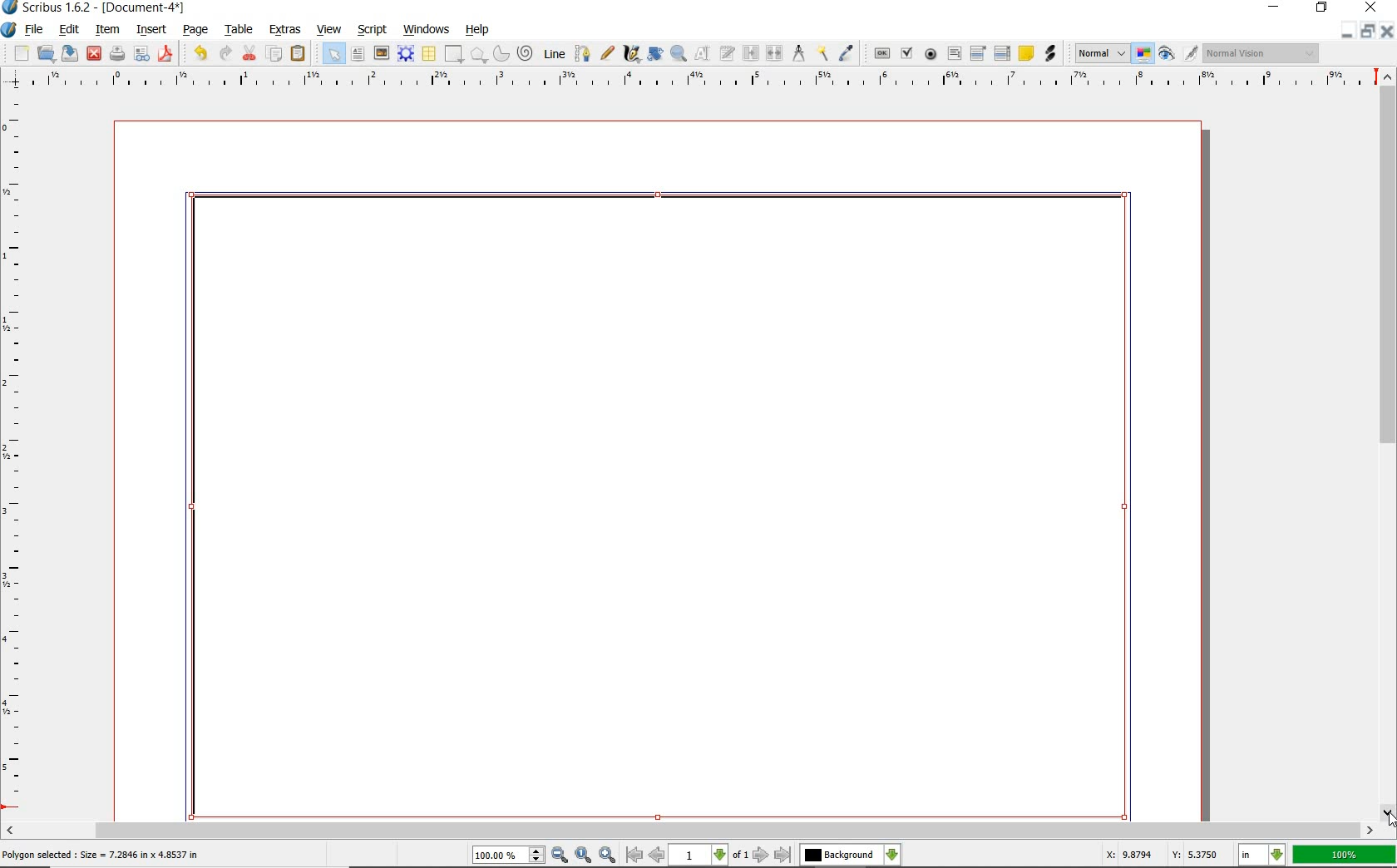 The height and width of the screenshot is (868, 1397). What do you see at coordinates (906, 52) in the screenshot?
I see `pdf check box` at bounding box center [906, 52].